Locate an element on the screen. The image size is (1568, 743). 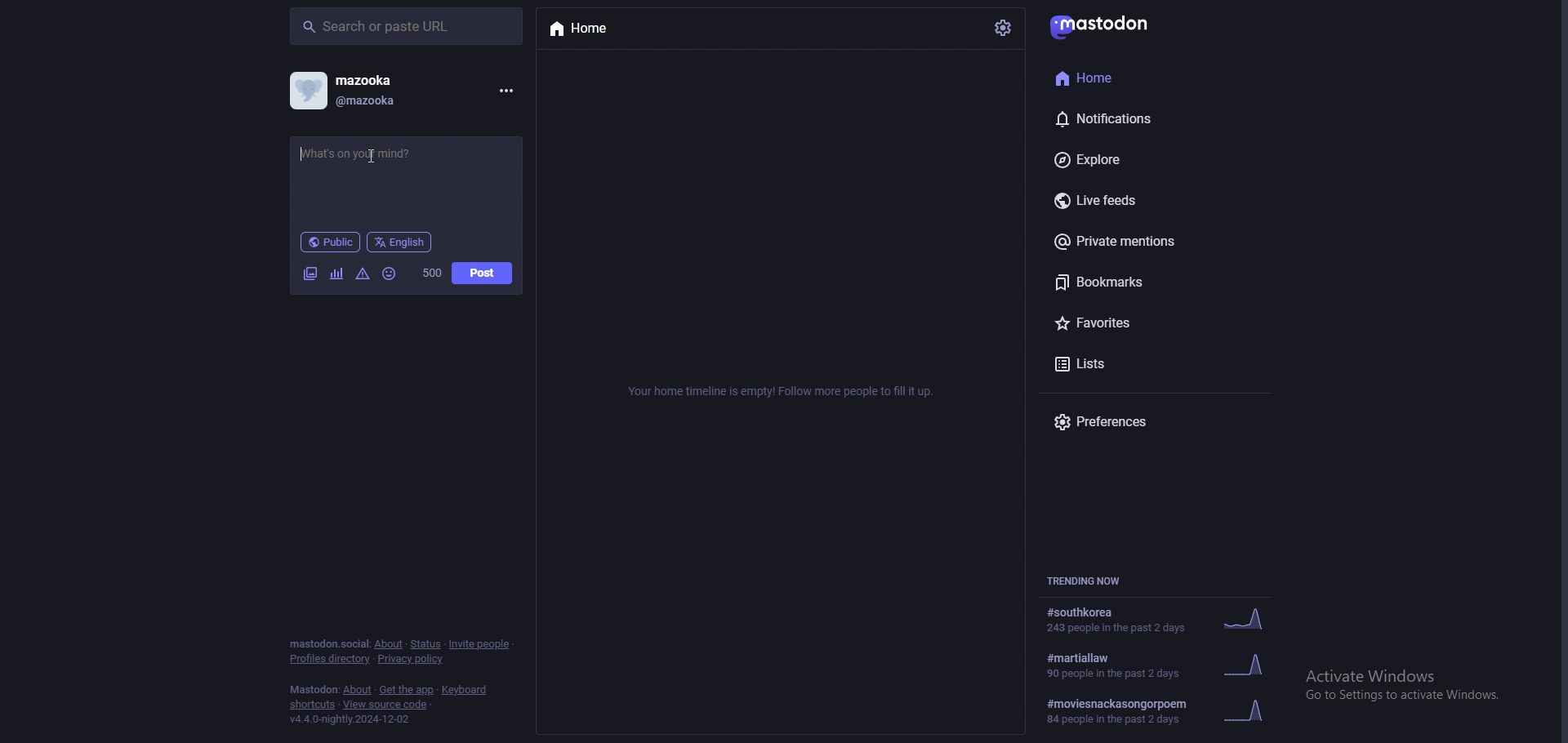
menu is located at coordinates (506, 91).